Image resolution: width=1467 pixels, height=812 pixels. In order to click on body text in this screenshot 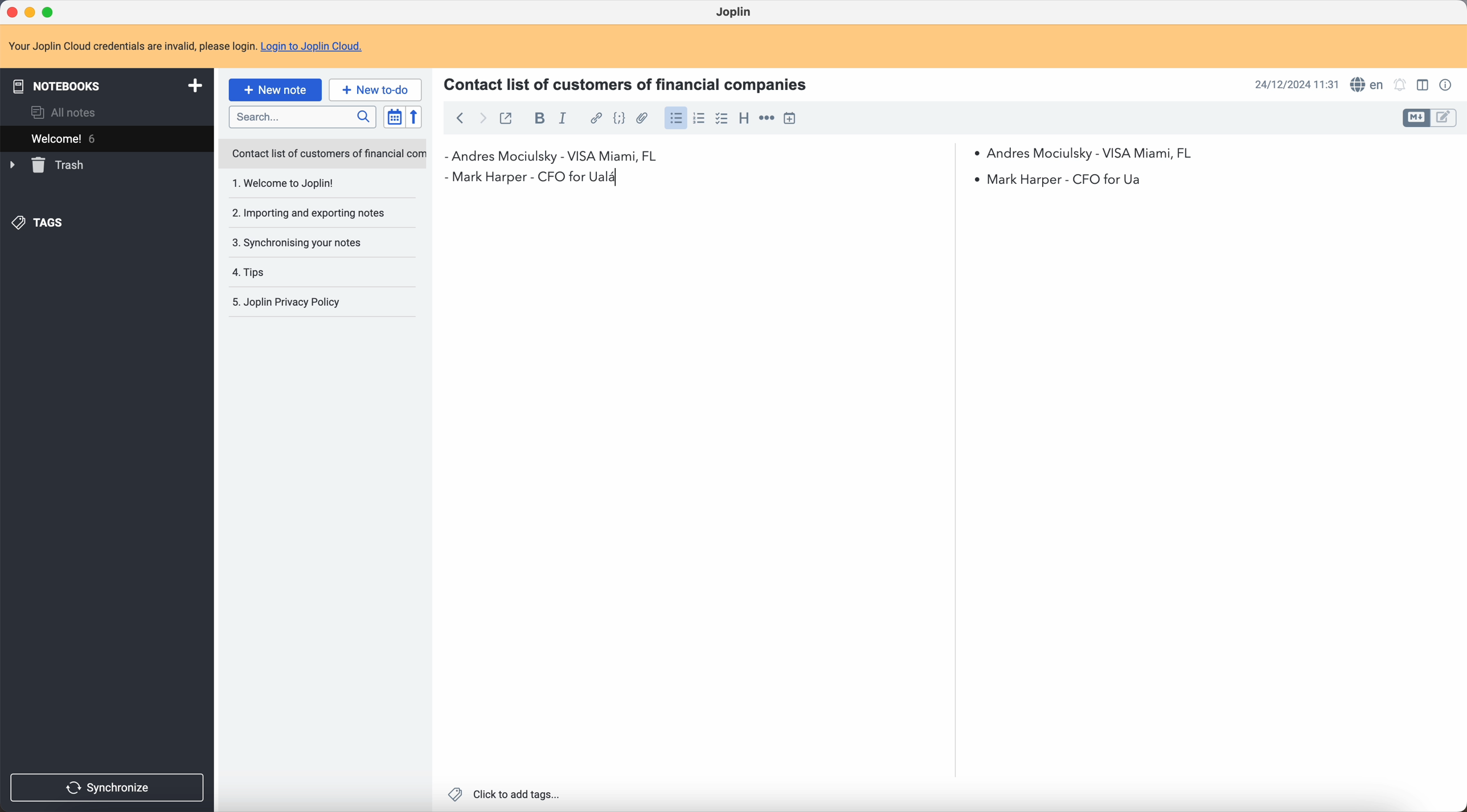, I will do `click(1205, 485)`.